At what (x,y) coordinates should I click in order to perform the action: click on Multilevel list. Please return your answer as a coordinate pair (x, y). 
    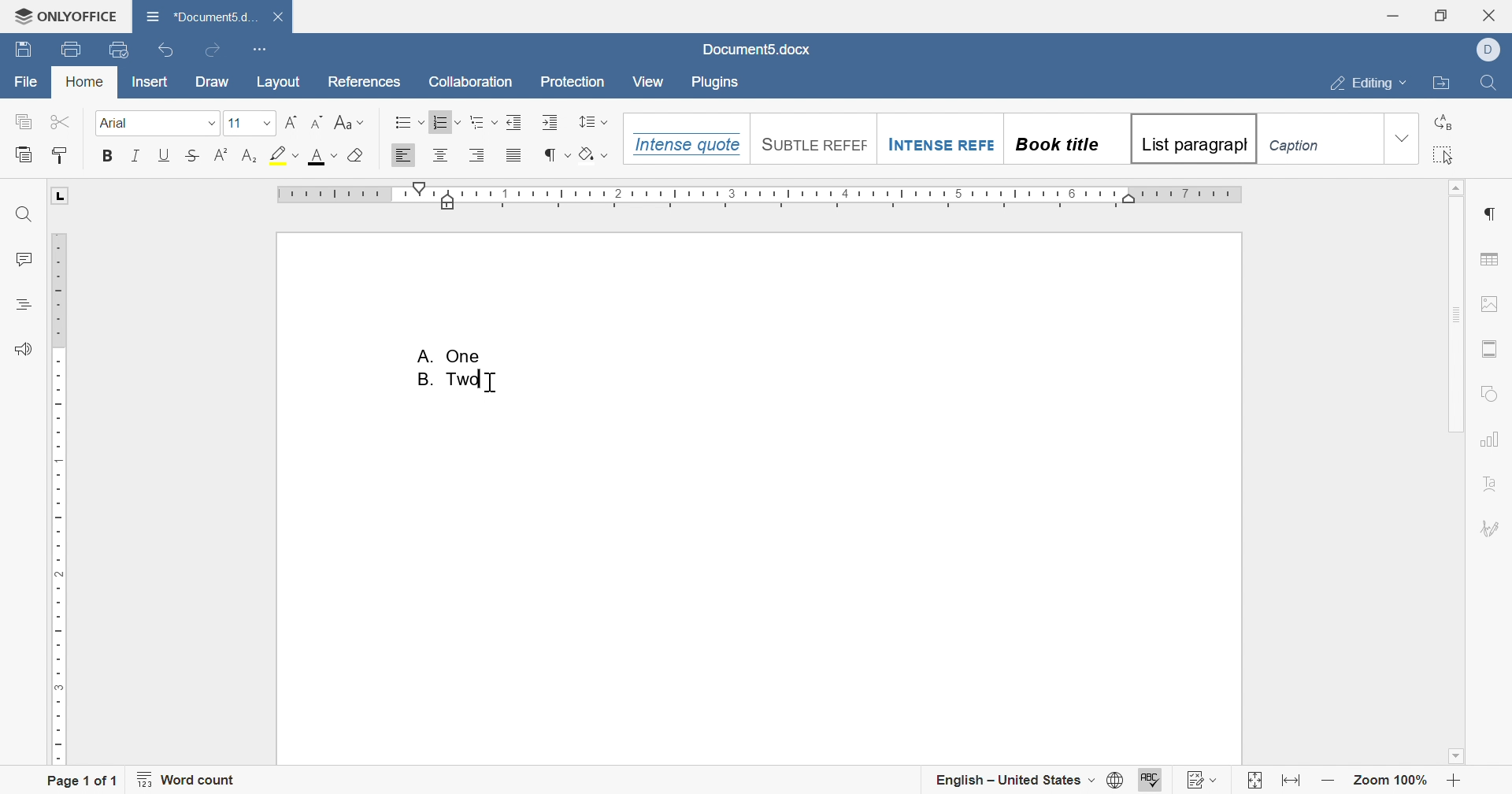
    Looking at the image, I should click on (482, 122).